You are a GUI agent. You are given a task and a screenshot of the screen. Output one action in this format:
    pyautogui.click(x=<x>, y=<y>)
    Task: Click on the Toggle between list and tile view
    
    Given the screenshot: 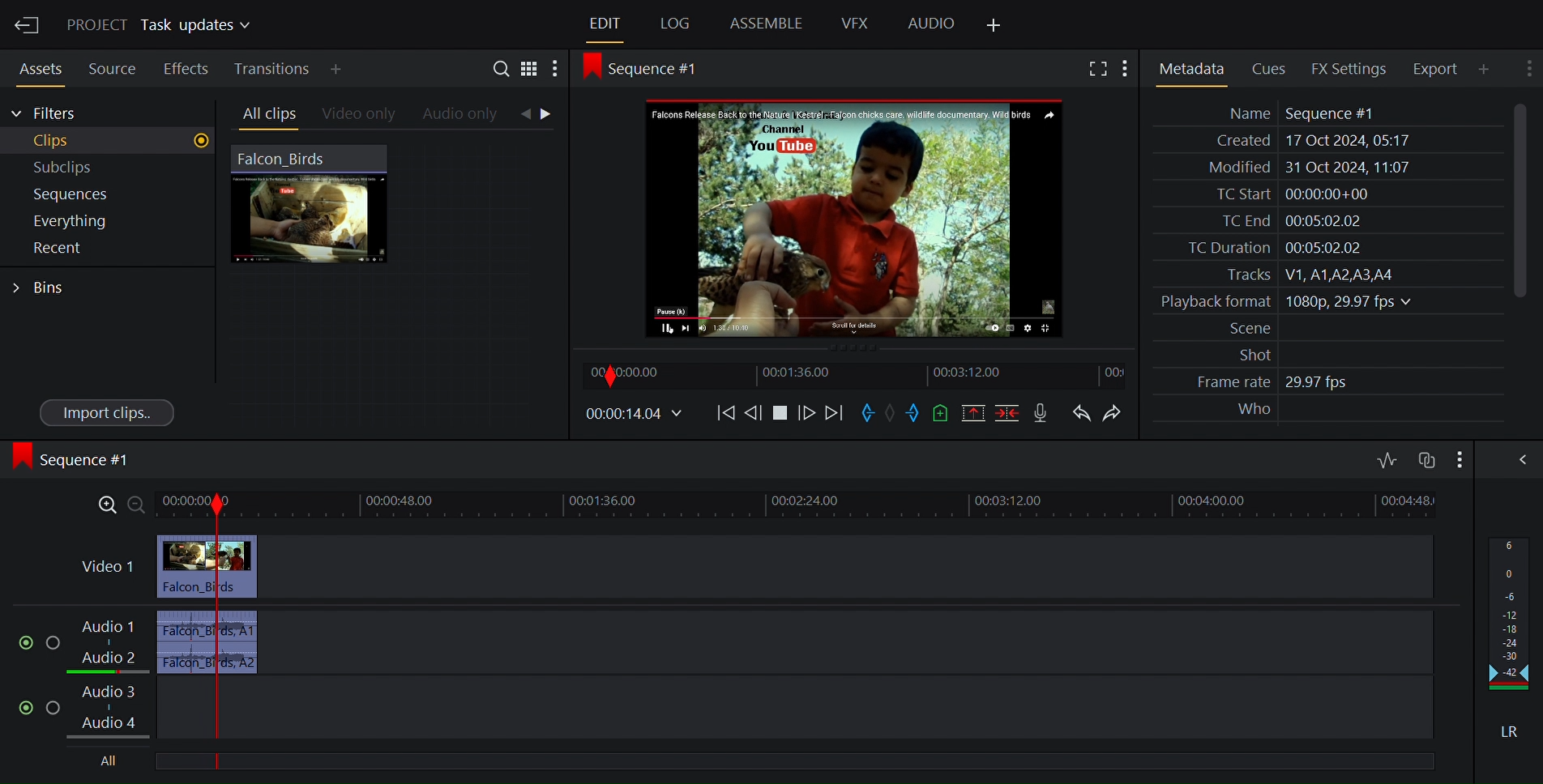 What is the action you would take?
    pyautogui.click(x=530, y=67)
    